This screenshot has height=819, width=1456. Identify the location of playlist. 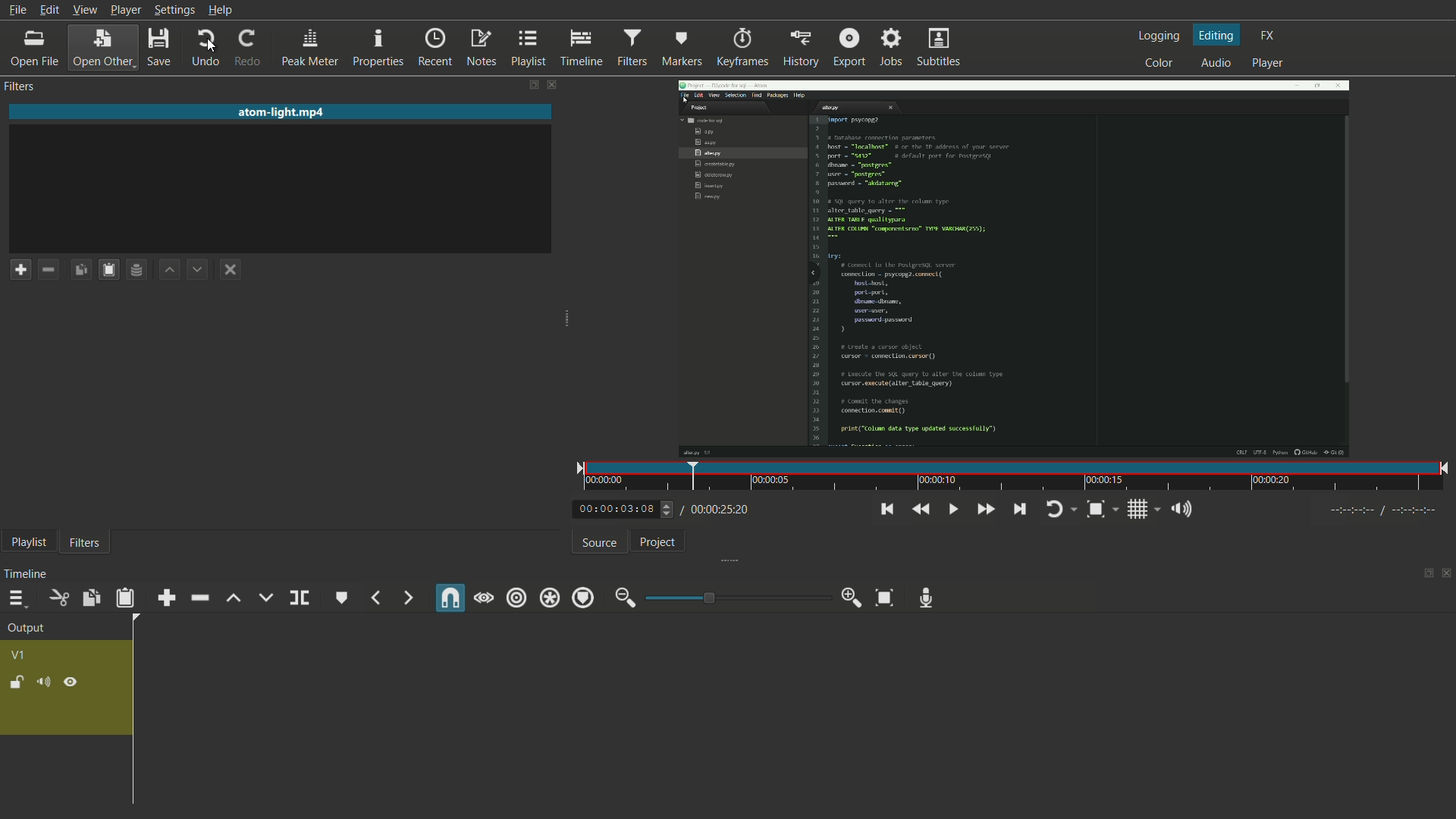
(529, 49).